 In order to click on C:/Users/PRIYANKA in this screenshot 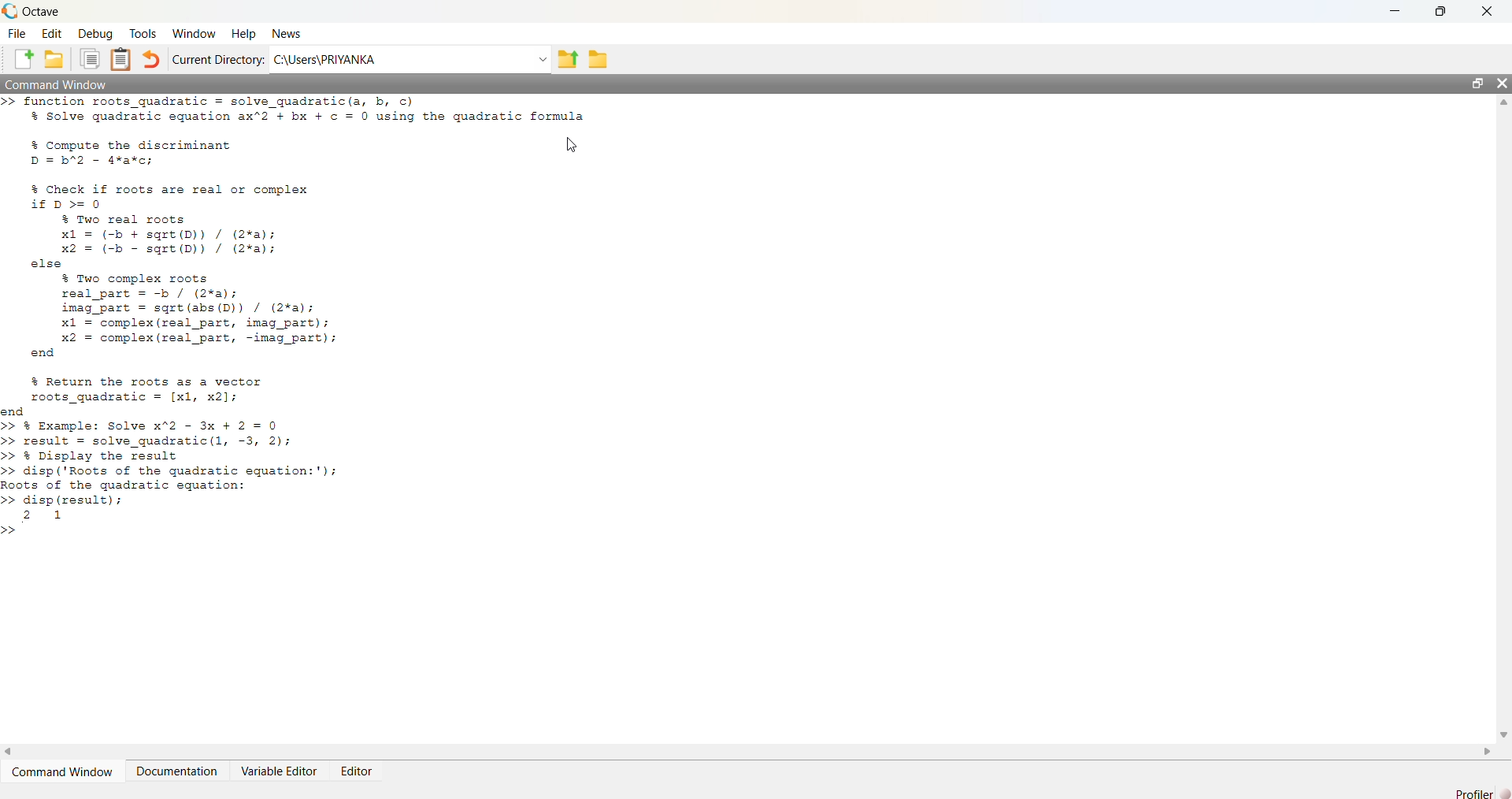, I will do `click(401, 58)`.